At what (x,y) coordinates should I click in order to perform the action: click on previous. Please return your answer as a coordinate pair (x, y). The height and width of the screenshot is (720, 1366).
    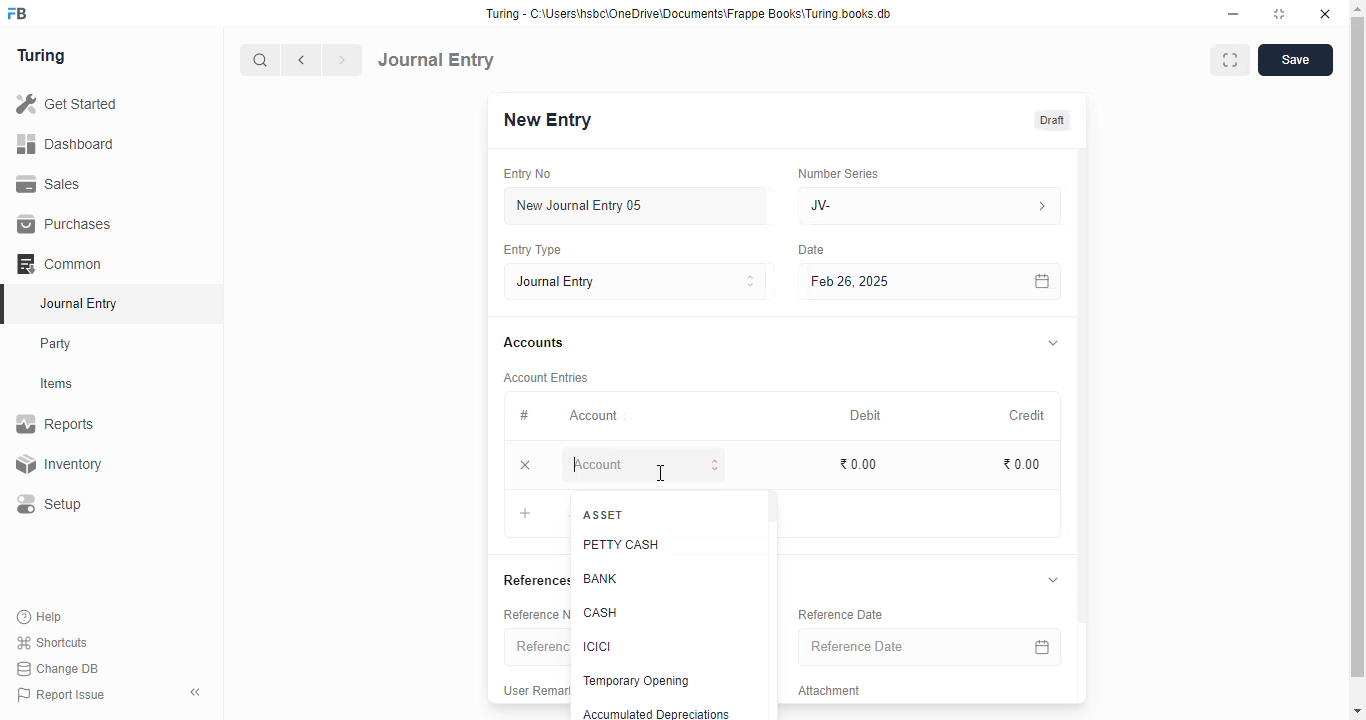
    Looking at the image, I should click on (303, 60).